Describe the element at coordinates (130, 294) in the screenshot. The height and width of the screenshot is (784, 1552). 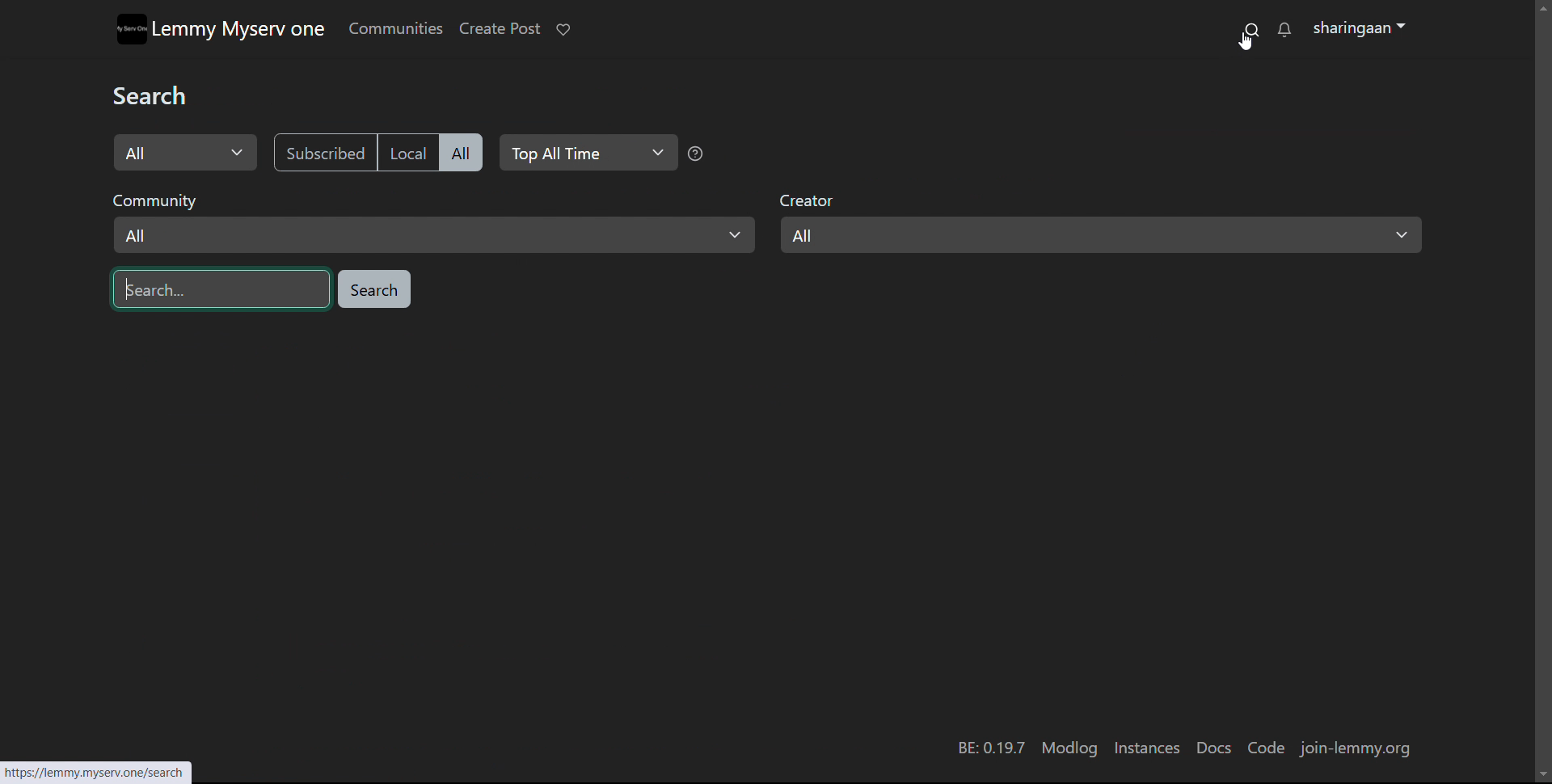
I see `Text cursor` at that location.